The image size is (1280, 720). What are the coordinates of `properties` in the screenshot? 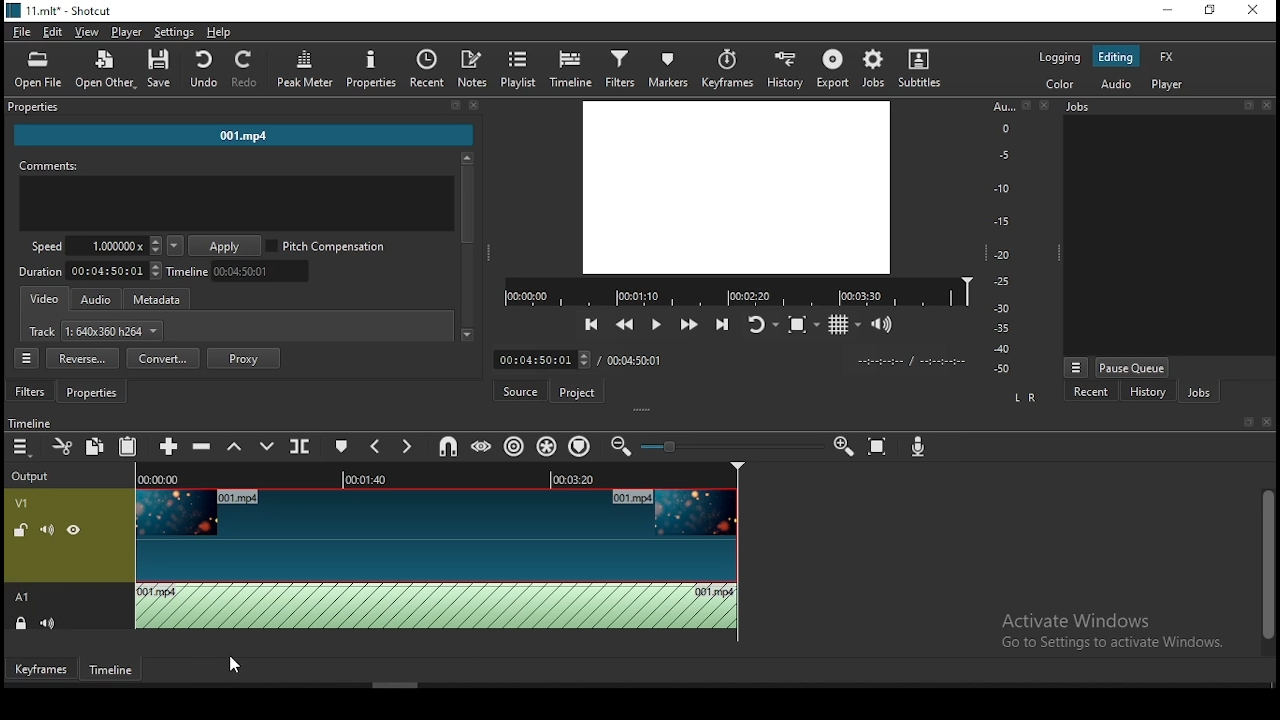 It's located at (240, 106).